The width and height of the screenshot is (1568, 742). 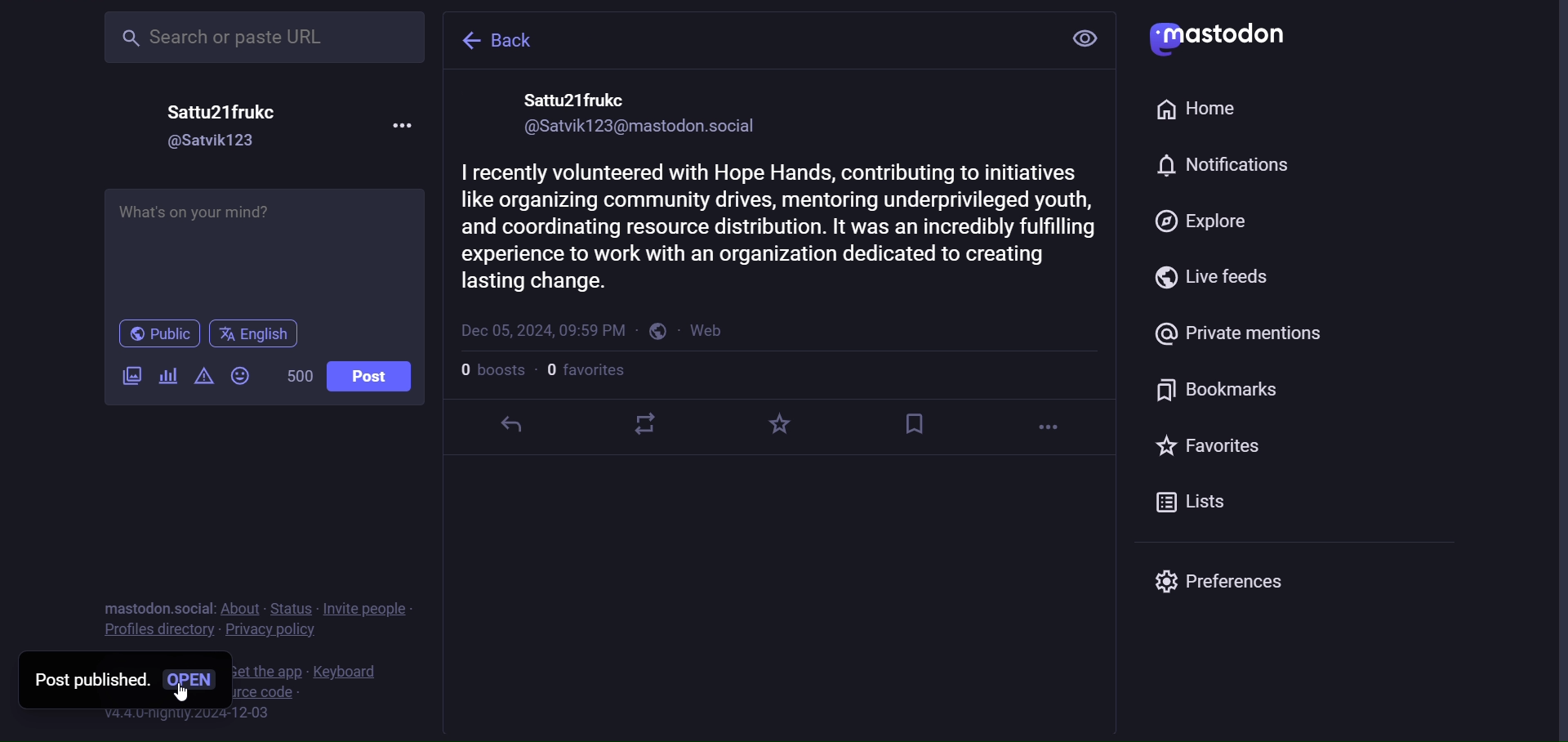 What do you see at coordinates (1216, 391) in the screenshot?
I see `bookmark` at bounding box center [1216, 391].